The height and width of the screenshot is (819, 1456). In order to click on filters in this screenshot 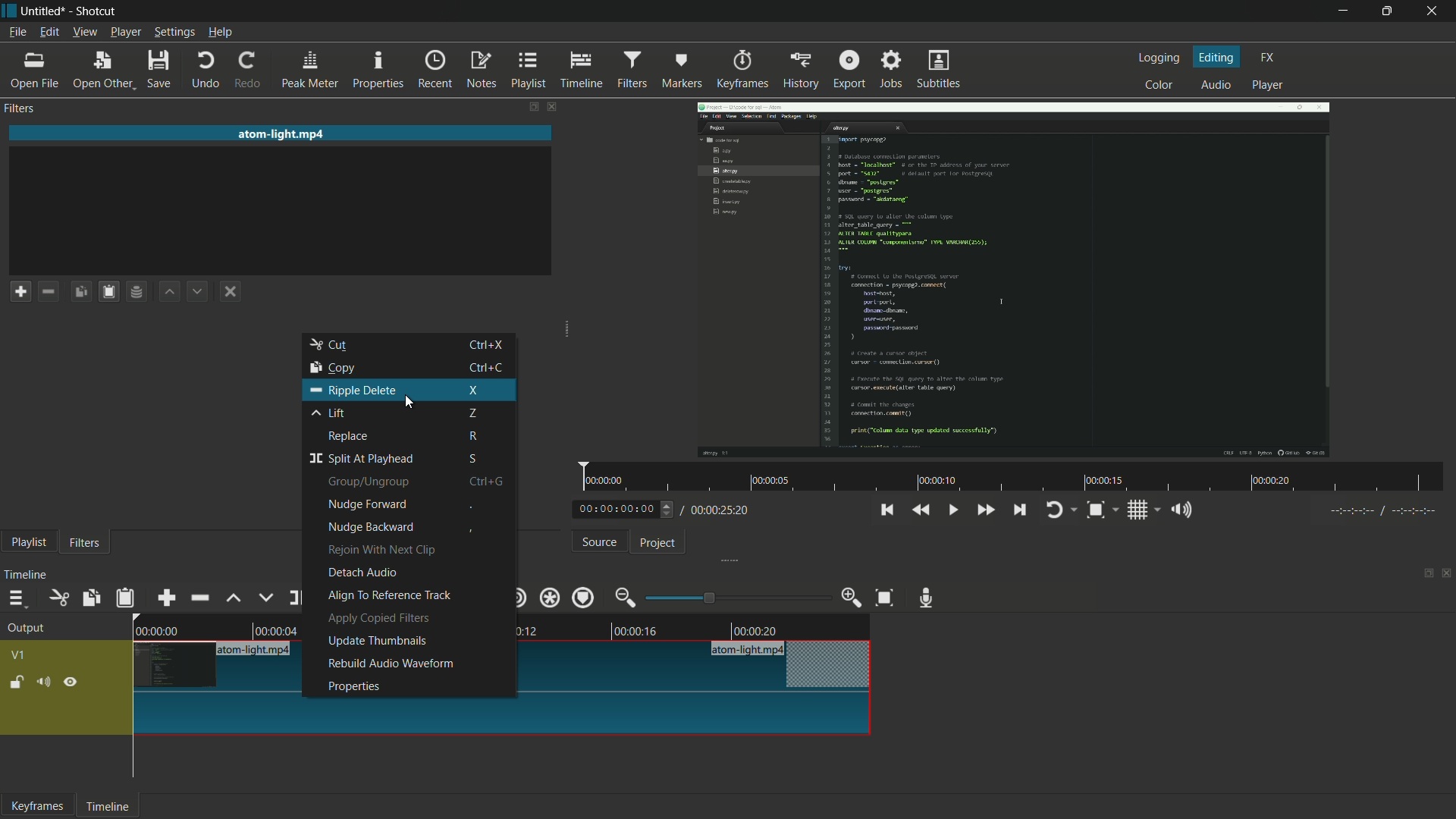, I will do `click(633, 69)`.